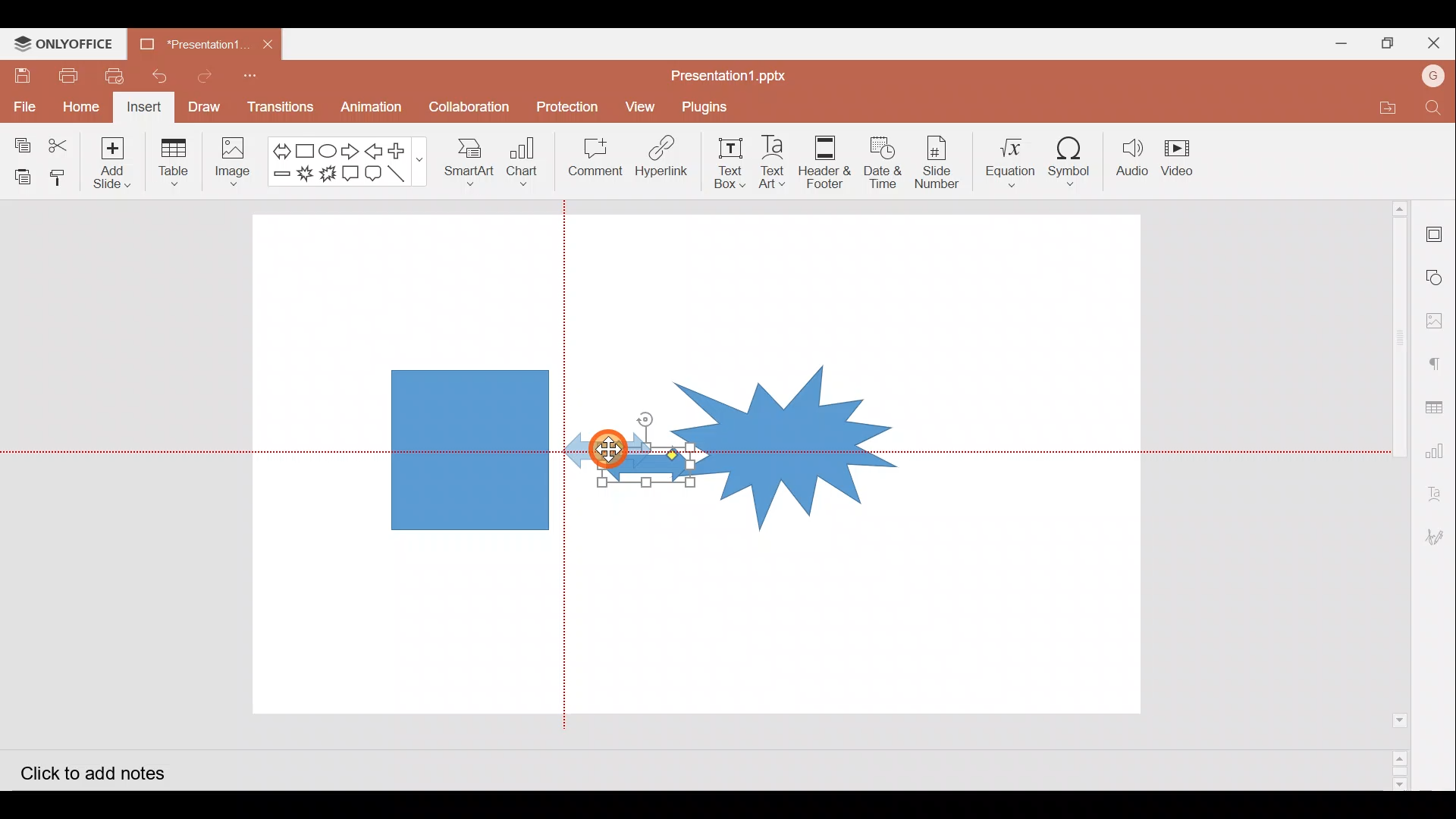 This screenshot has height=819, width=1456. What do you see at coordinates (666, 159) in the screenshot?
I see `Hyperlink` at bounding box center [666, 159].